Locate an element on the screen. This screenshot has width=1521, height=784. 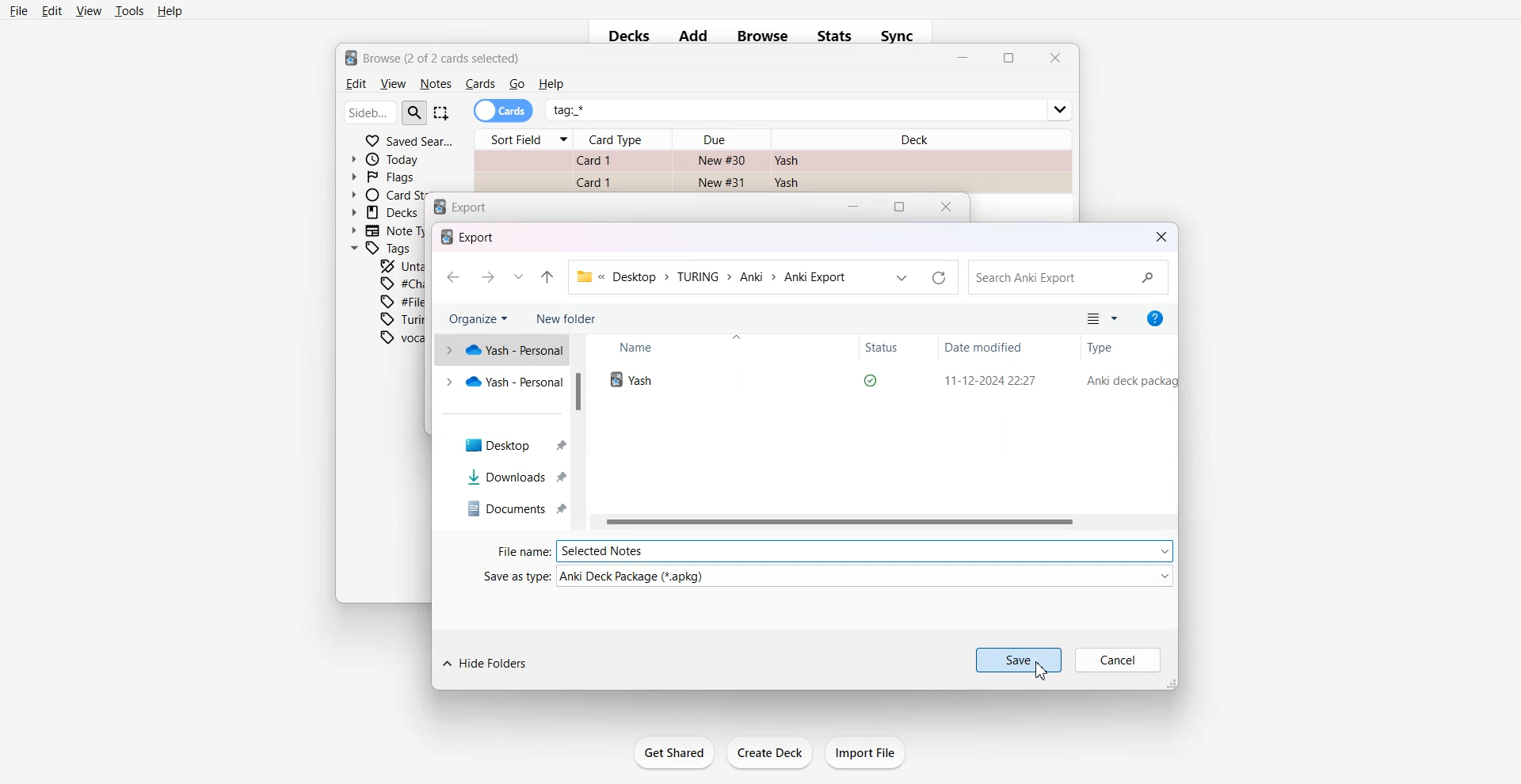
Vertical scroll bar is located at coordinates (581, 432).